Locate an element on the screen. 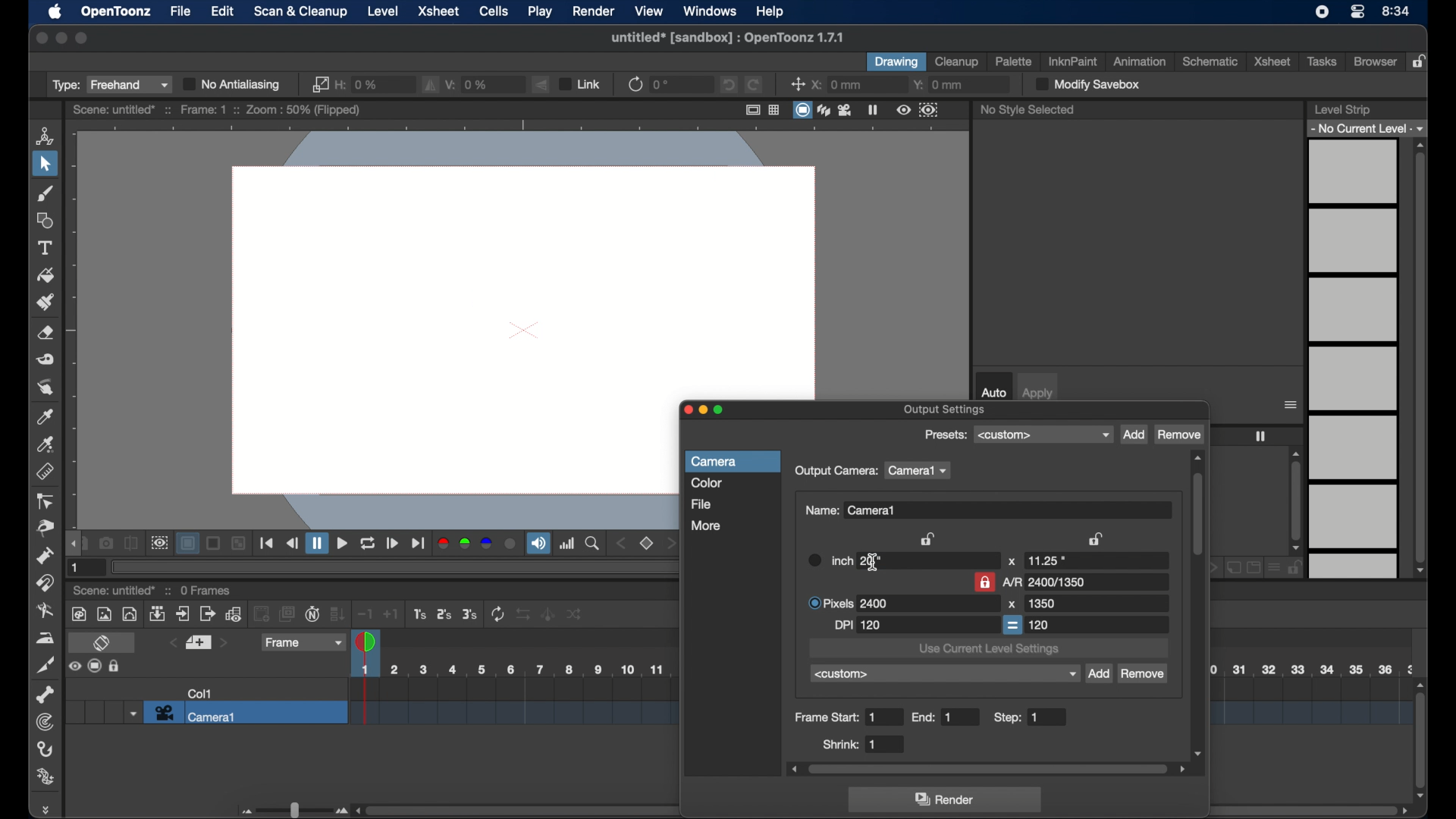 The image size is (1456, 819). remove is located at coordinates (1144, 675).